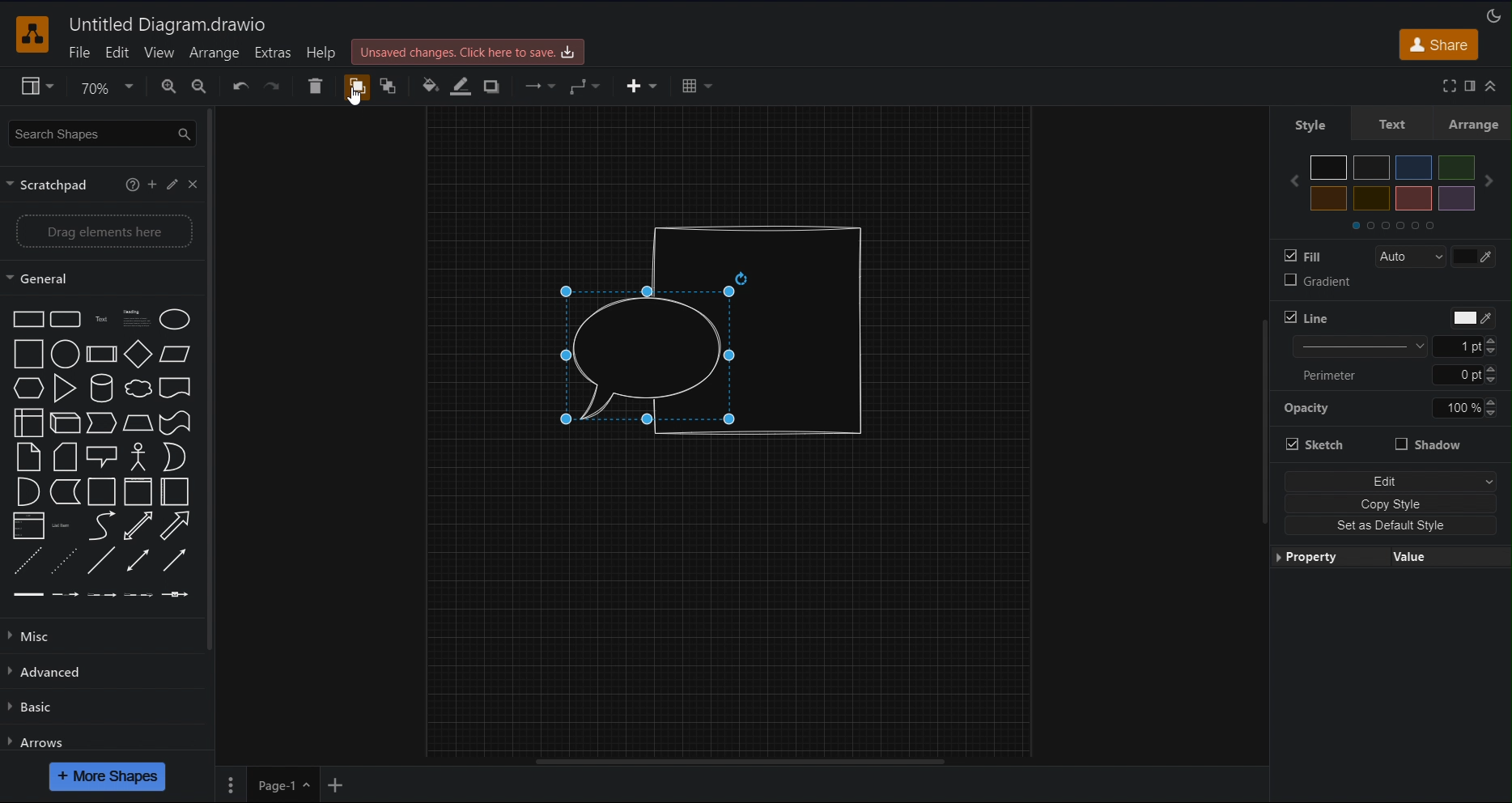  What do you see at coordinates (28, 423) in the screenshot?
I see `Internal storage` at bounding box center [28, 423].